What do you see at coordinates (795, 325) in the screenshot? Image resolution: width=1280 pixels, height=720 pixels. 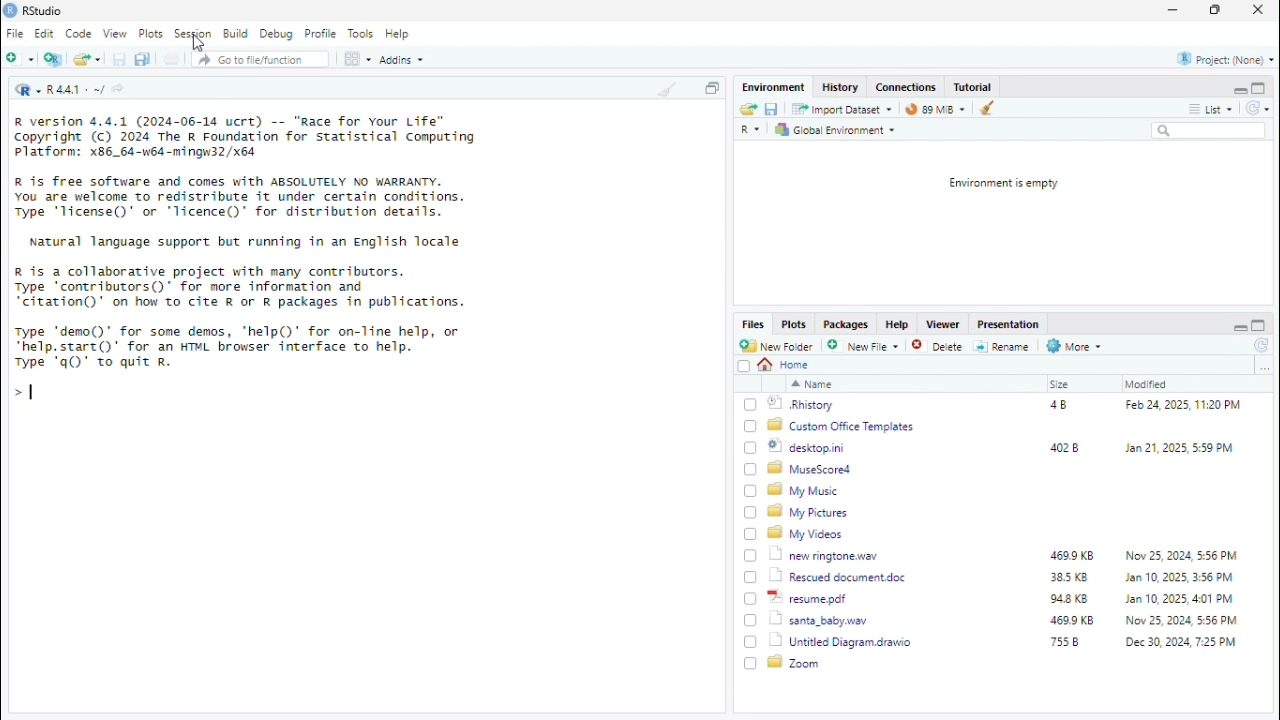 I see `Plots` at bounding box center [795, 325].